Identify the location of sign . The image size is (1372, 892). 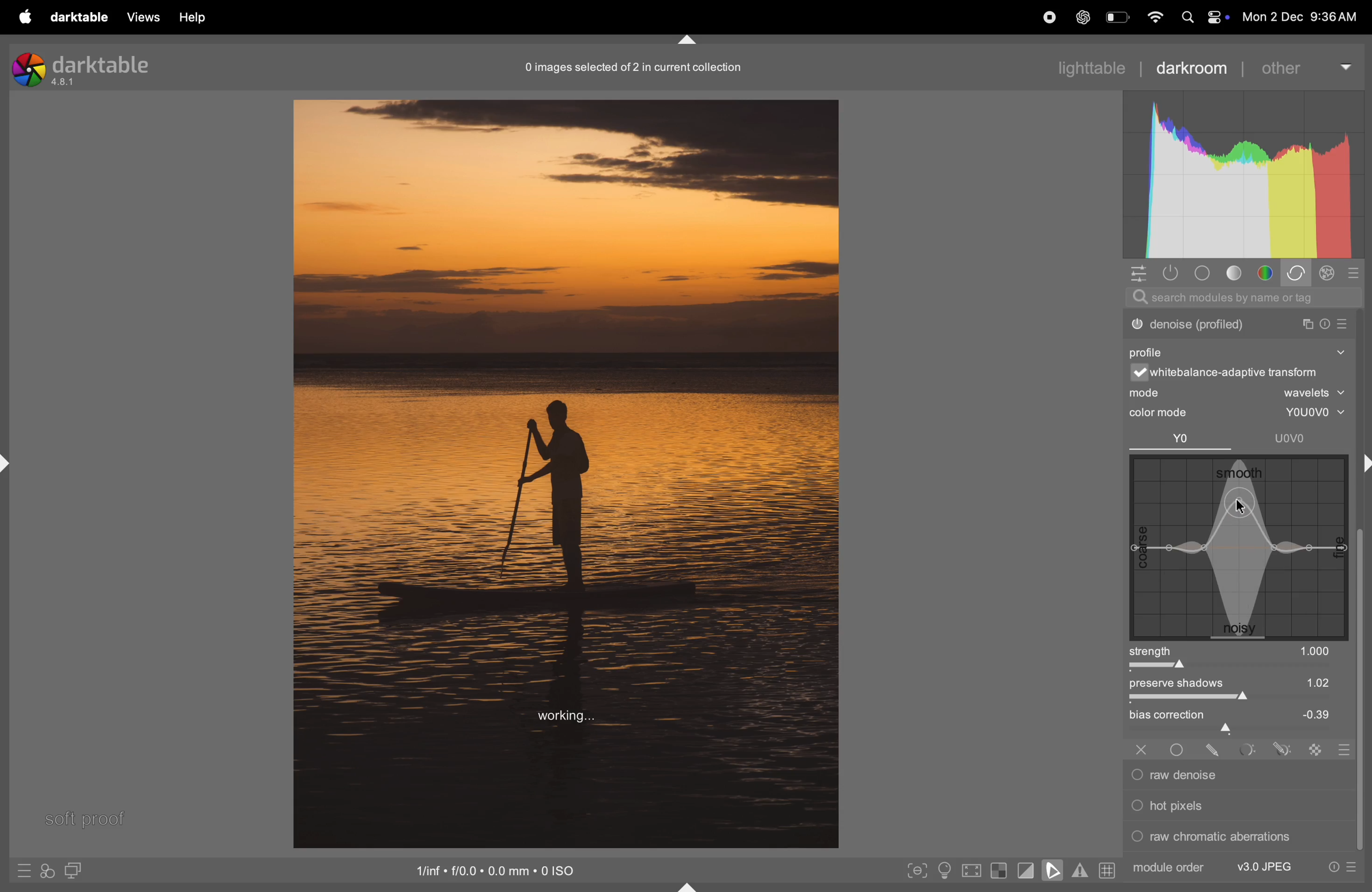
(1358, 273).